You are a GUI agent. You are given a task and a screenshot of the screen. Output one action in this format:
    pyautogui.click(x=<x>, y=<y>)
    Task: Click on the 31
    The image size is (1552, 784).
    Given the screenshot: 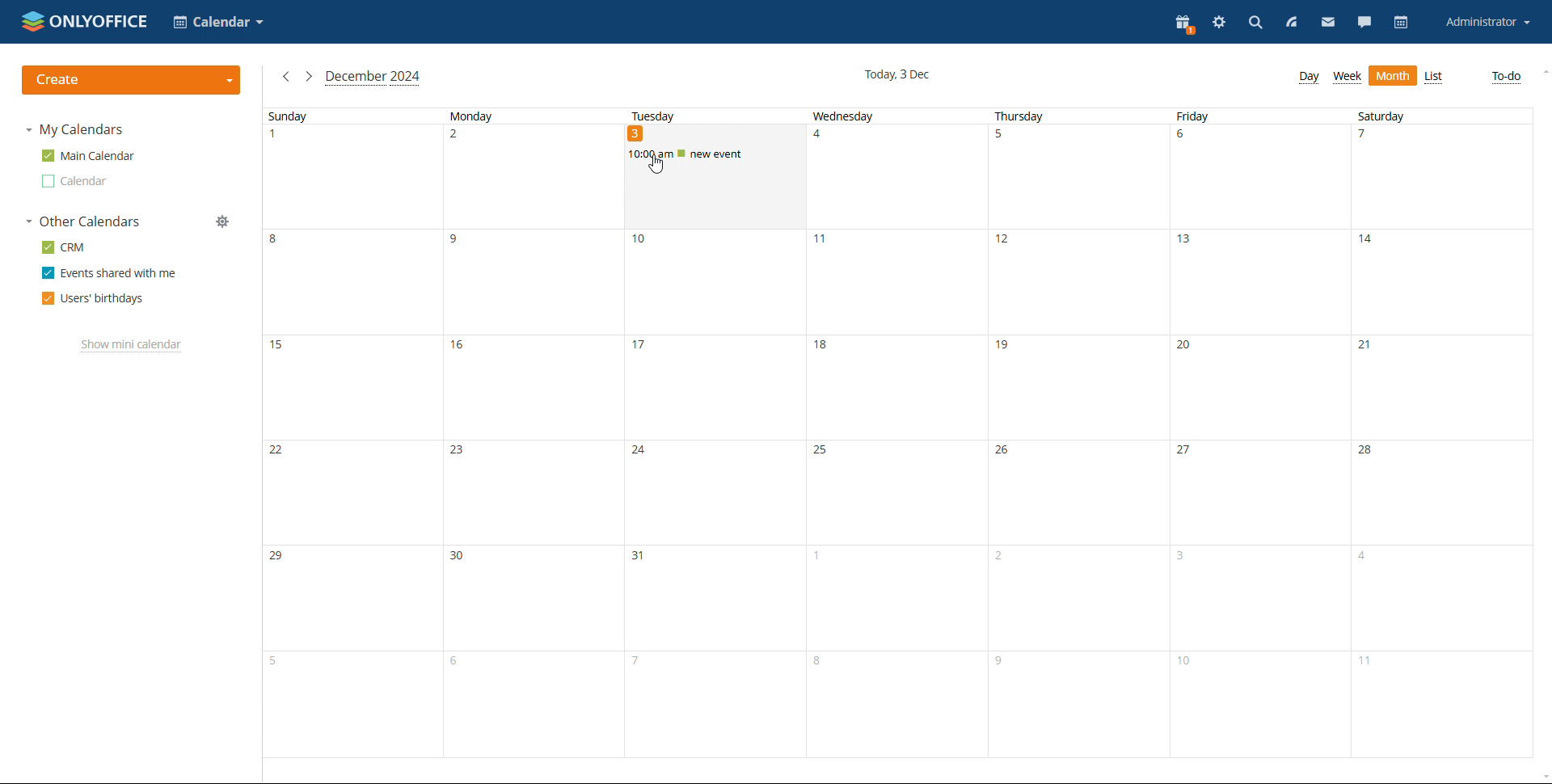 What is the action you would take?
    pyautogui.click(x=711, y=599)
    